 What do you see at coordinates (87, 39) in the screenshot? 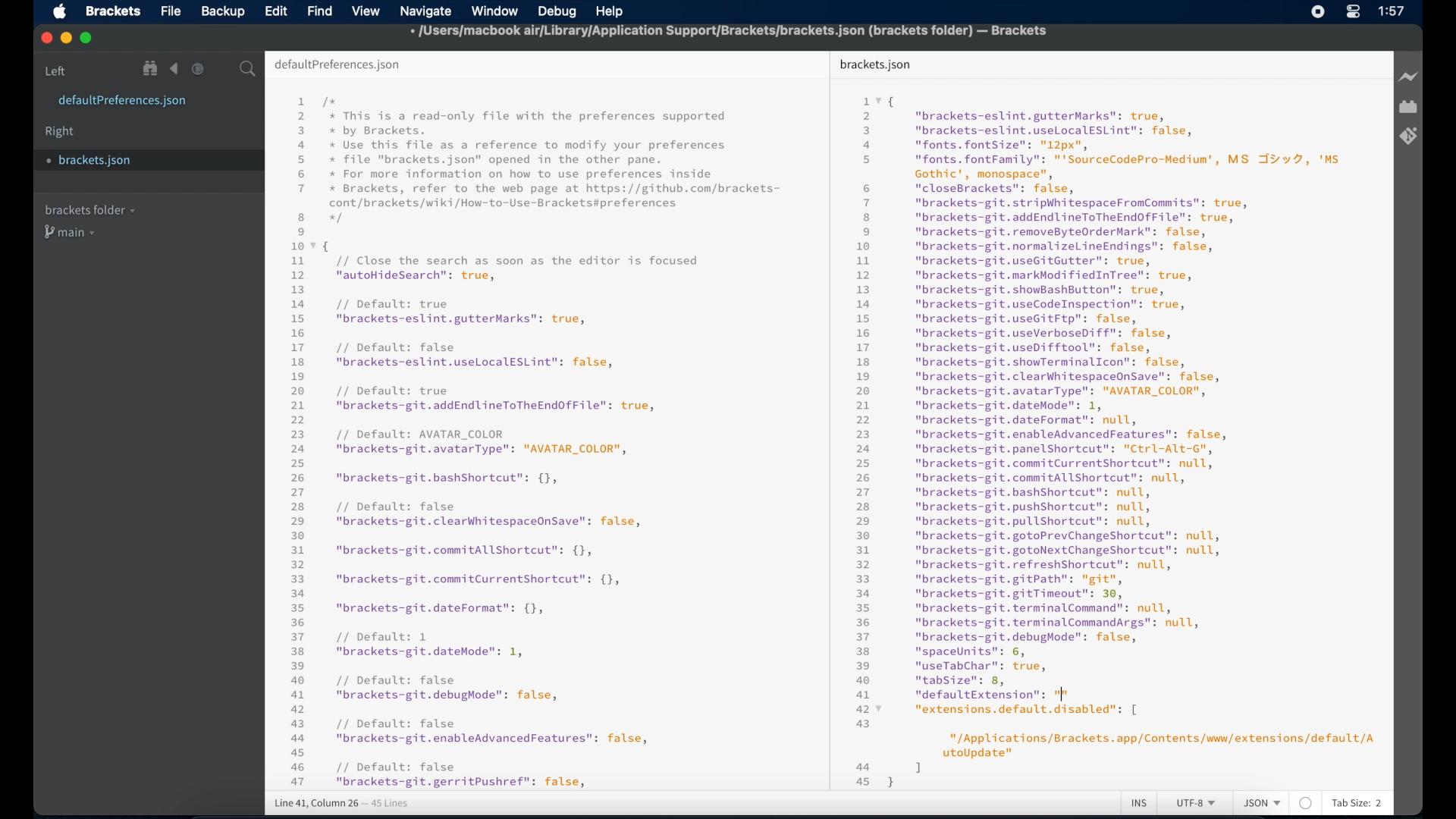
I see `maximize` at bounding box center [87, 39].